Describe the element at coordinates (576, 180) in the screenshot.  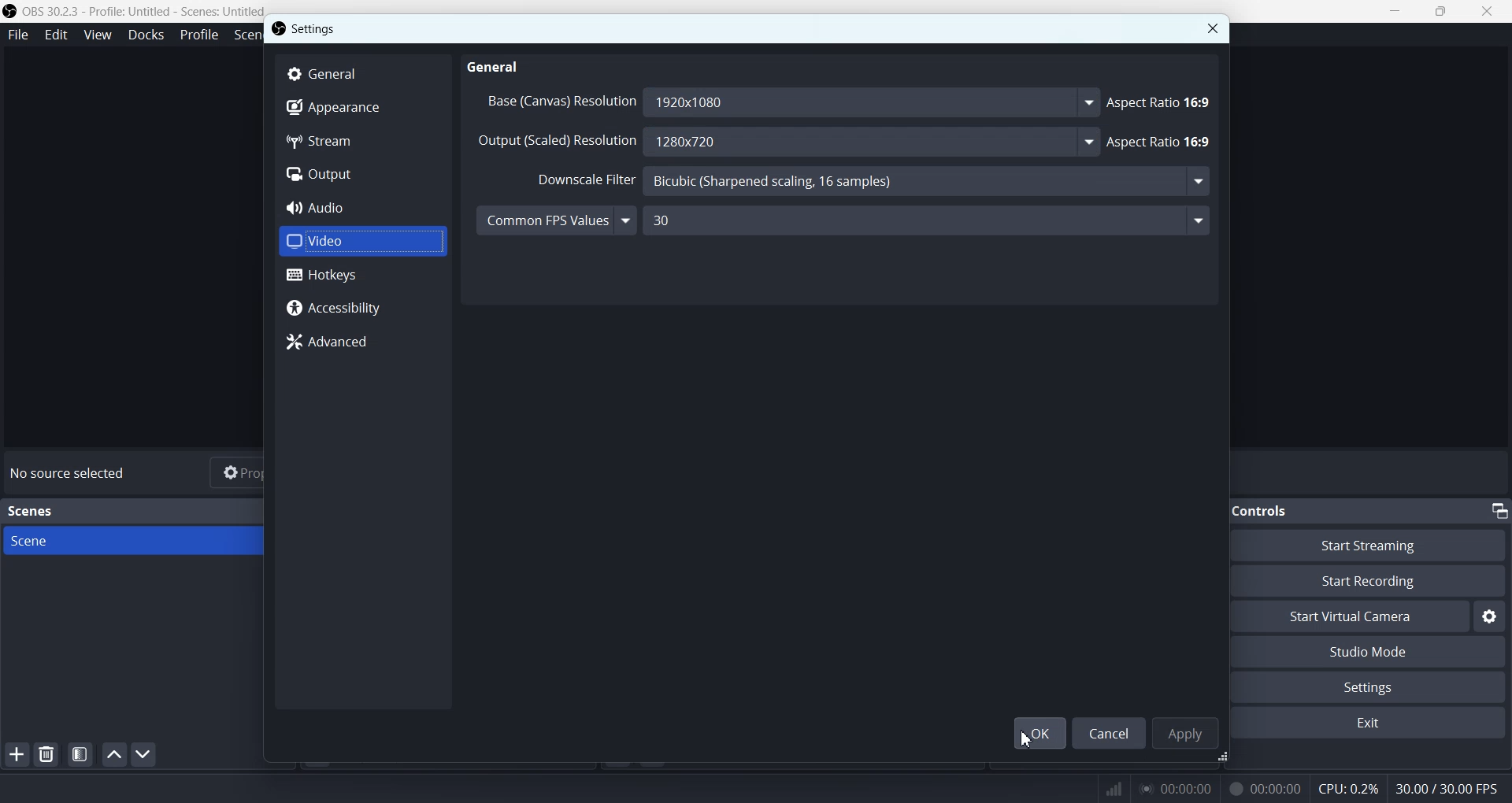
I see `Downscale filter` at that location.